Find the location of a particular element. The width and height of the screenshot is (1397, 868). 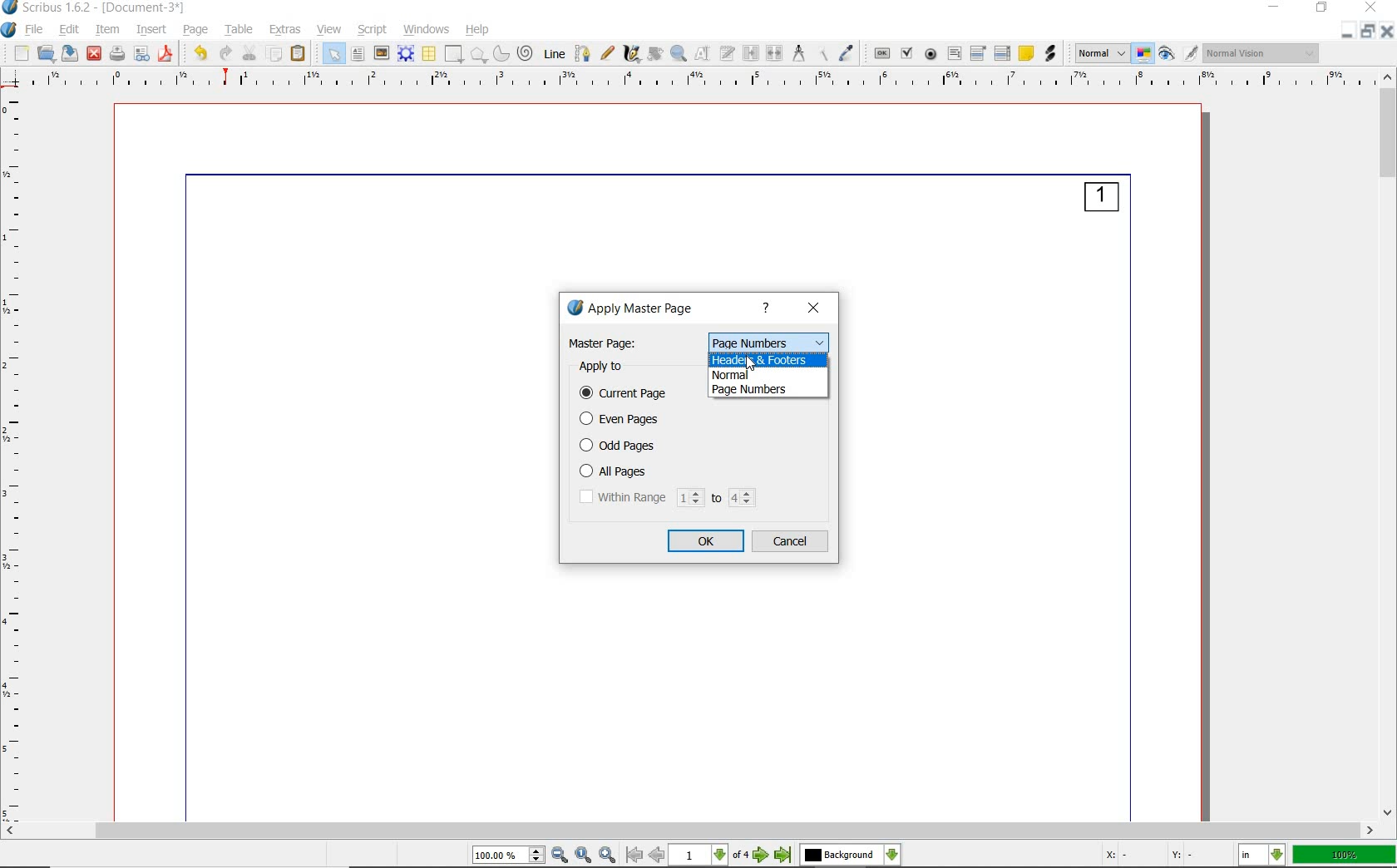

select current page is located at coordinates (708, 856).